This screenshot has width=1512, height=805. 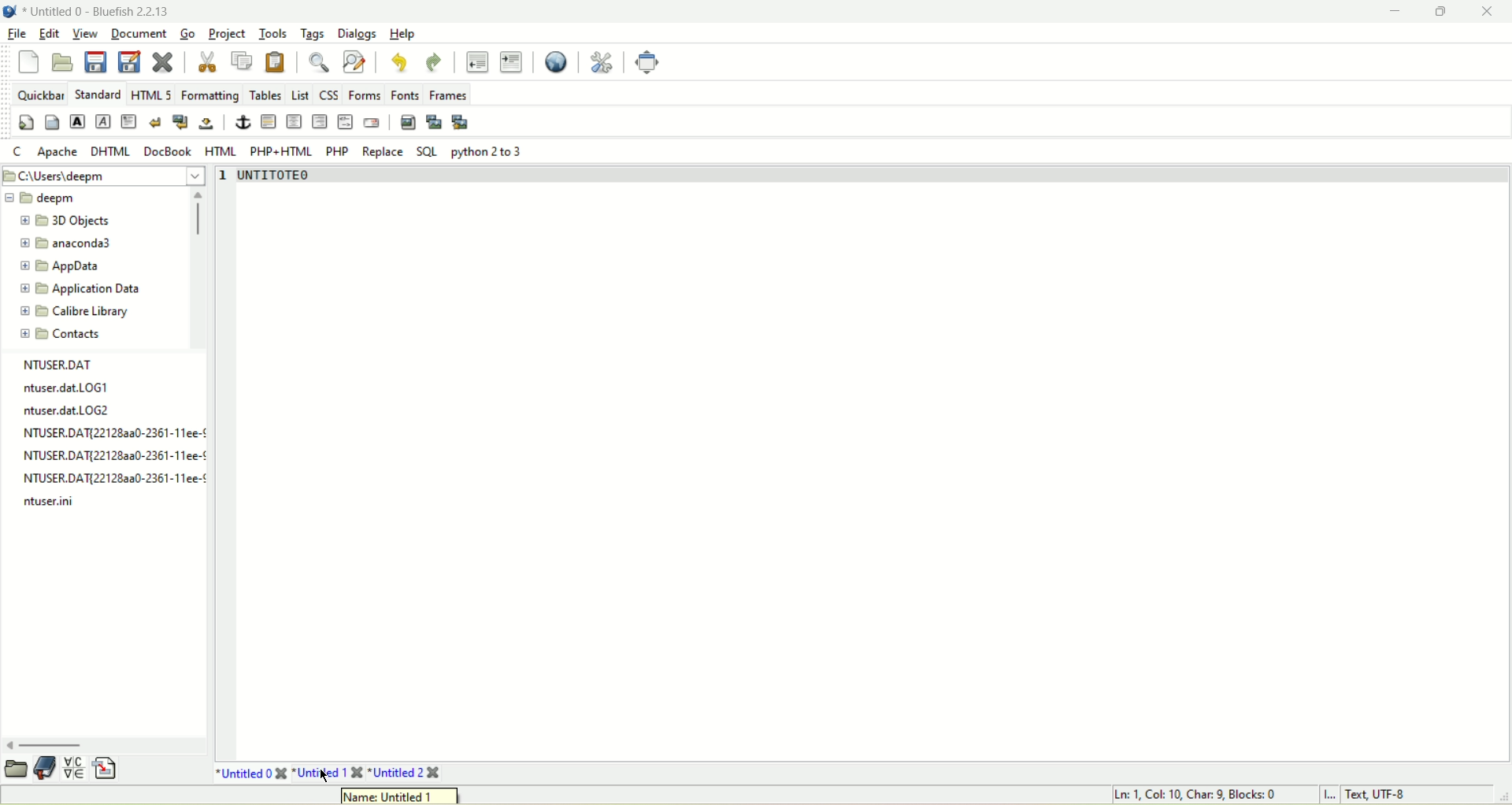 I want to click on HTML, so click(x=219, y=150).